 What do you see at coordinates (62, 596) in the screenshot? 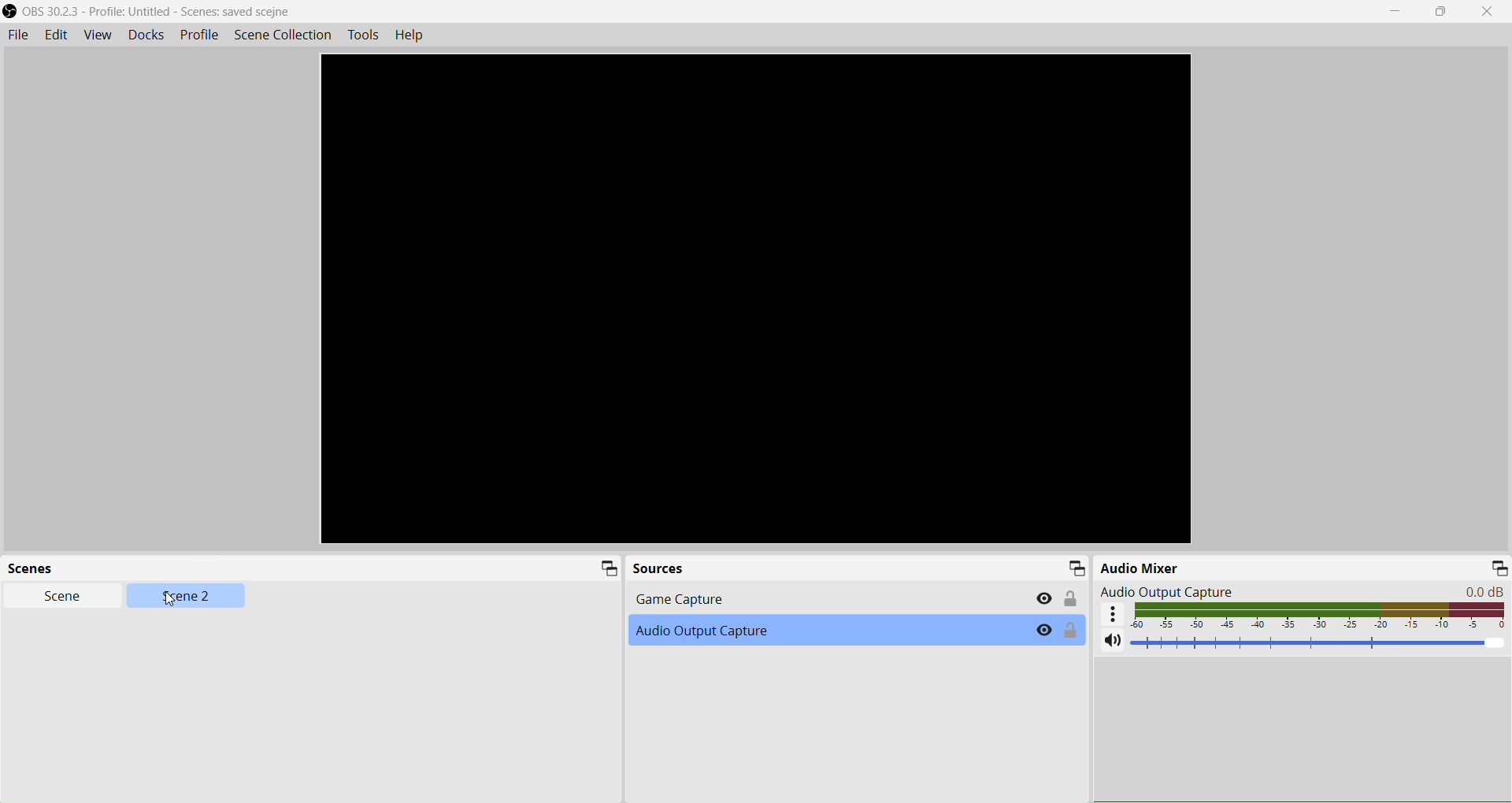
I see `Scene` at bounding box center [62, 596].